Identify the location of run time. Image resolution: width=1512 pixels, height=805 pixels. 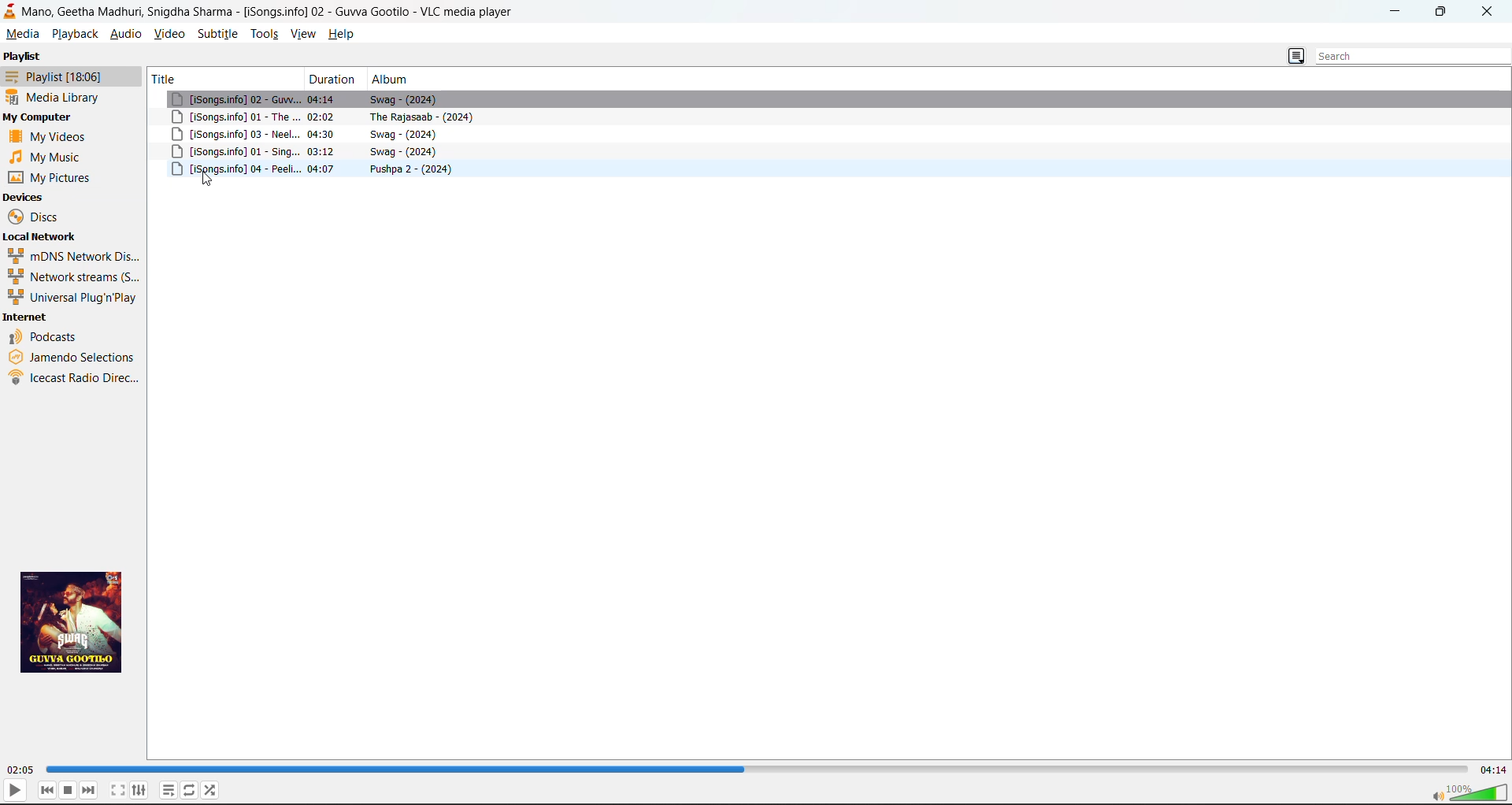
(20, 771).